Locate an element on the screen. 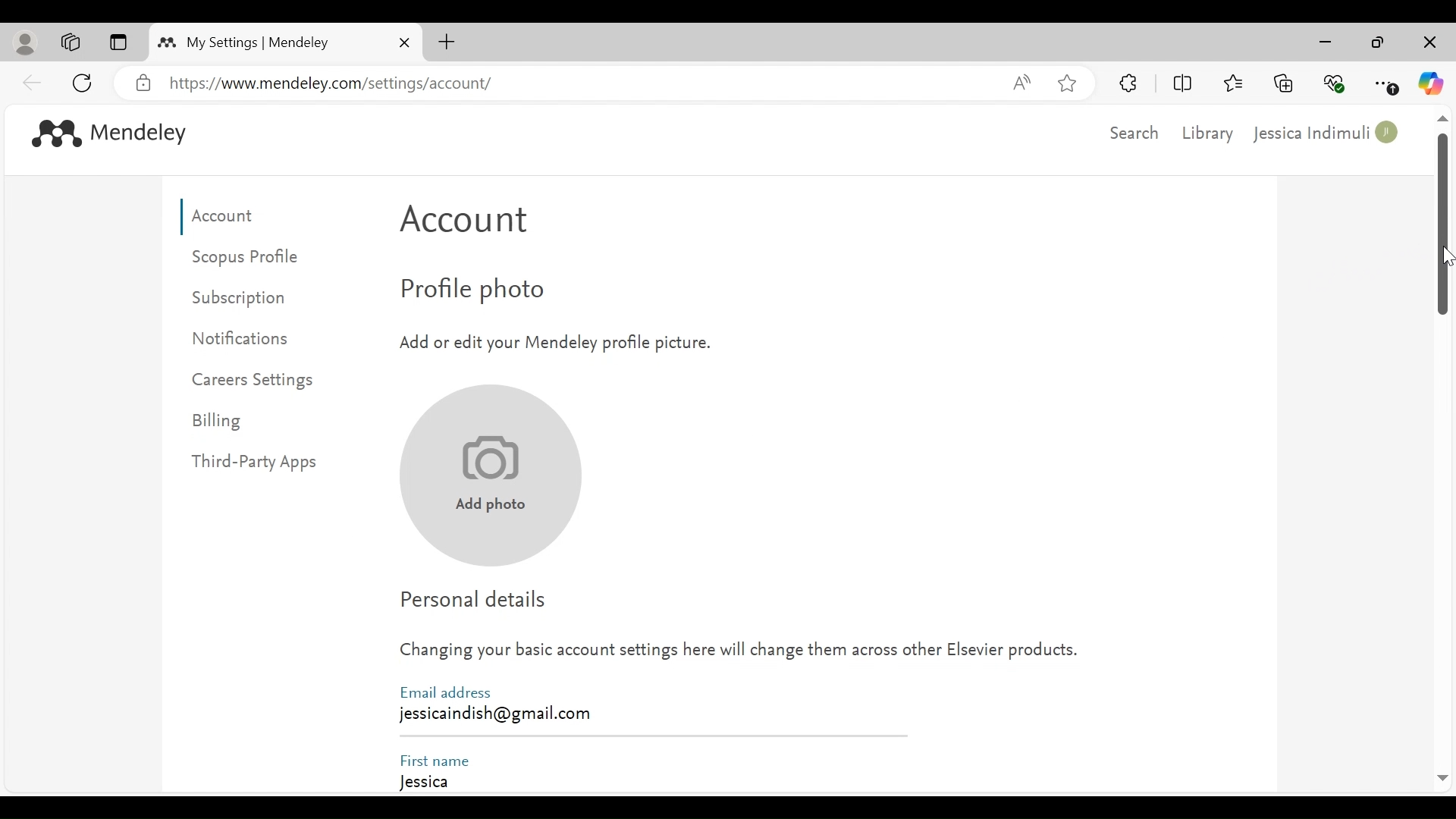  Profile Photo is located at coordinates (504, 292).